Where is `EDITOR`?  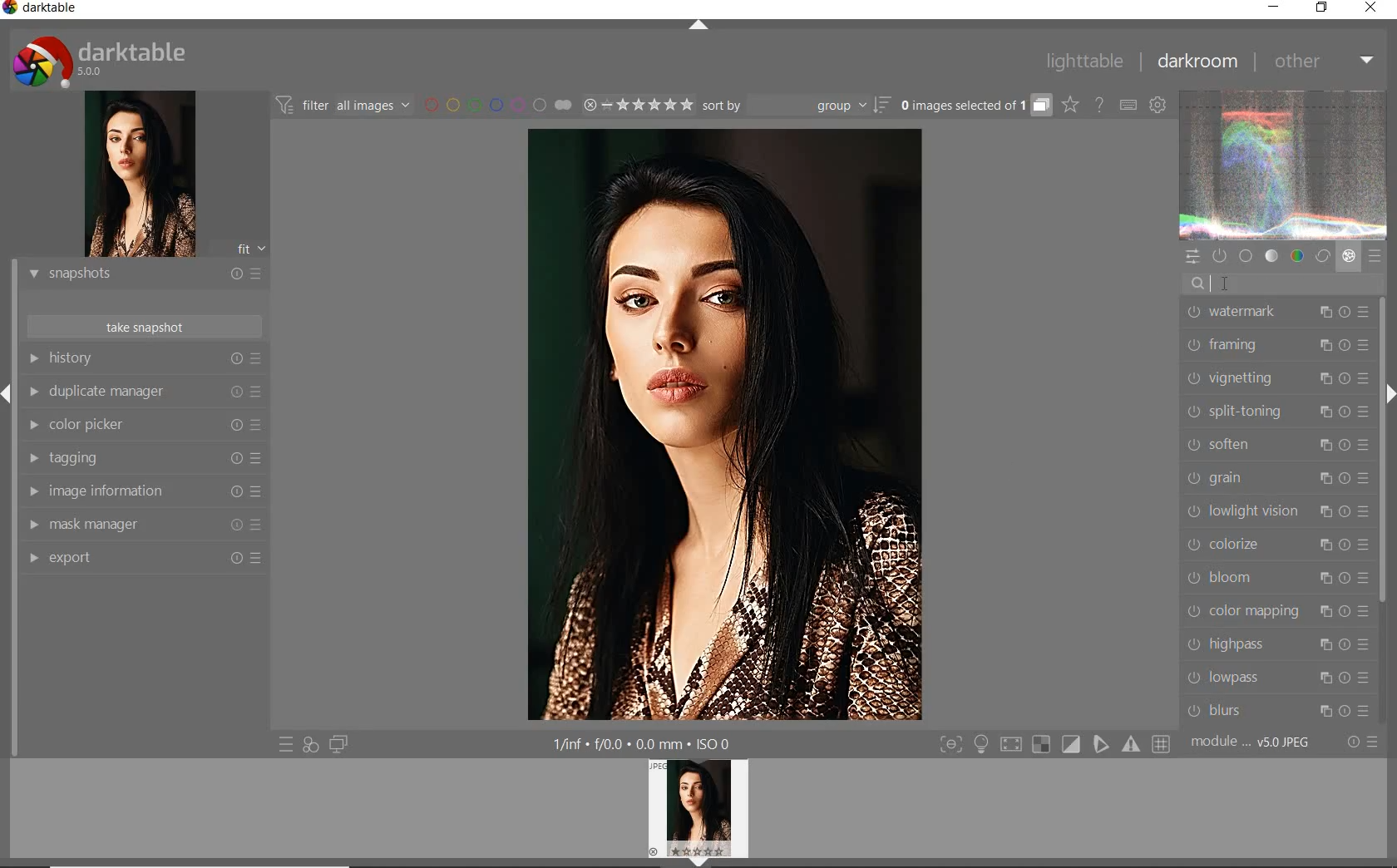 EDITOR is located at coordinates (1209, 288).